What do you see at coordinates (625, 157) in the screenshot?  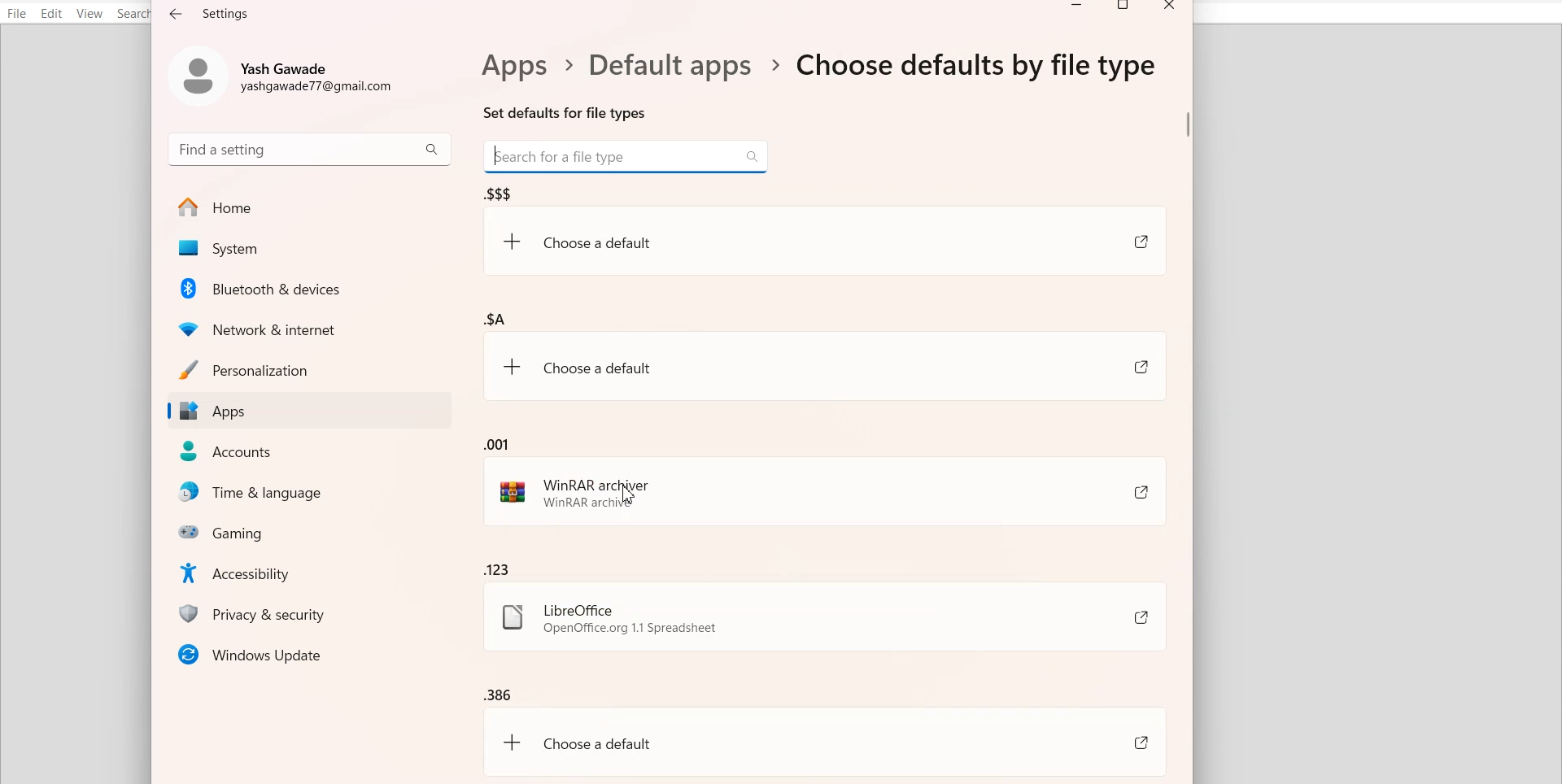 I see `Search` at bounding box center [625, 157].